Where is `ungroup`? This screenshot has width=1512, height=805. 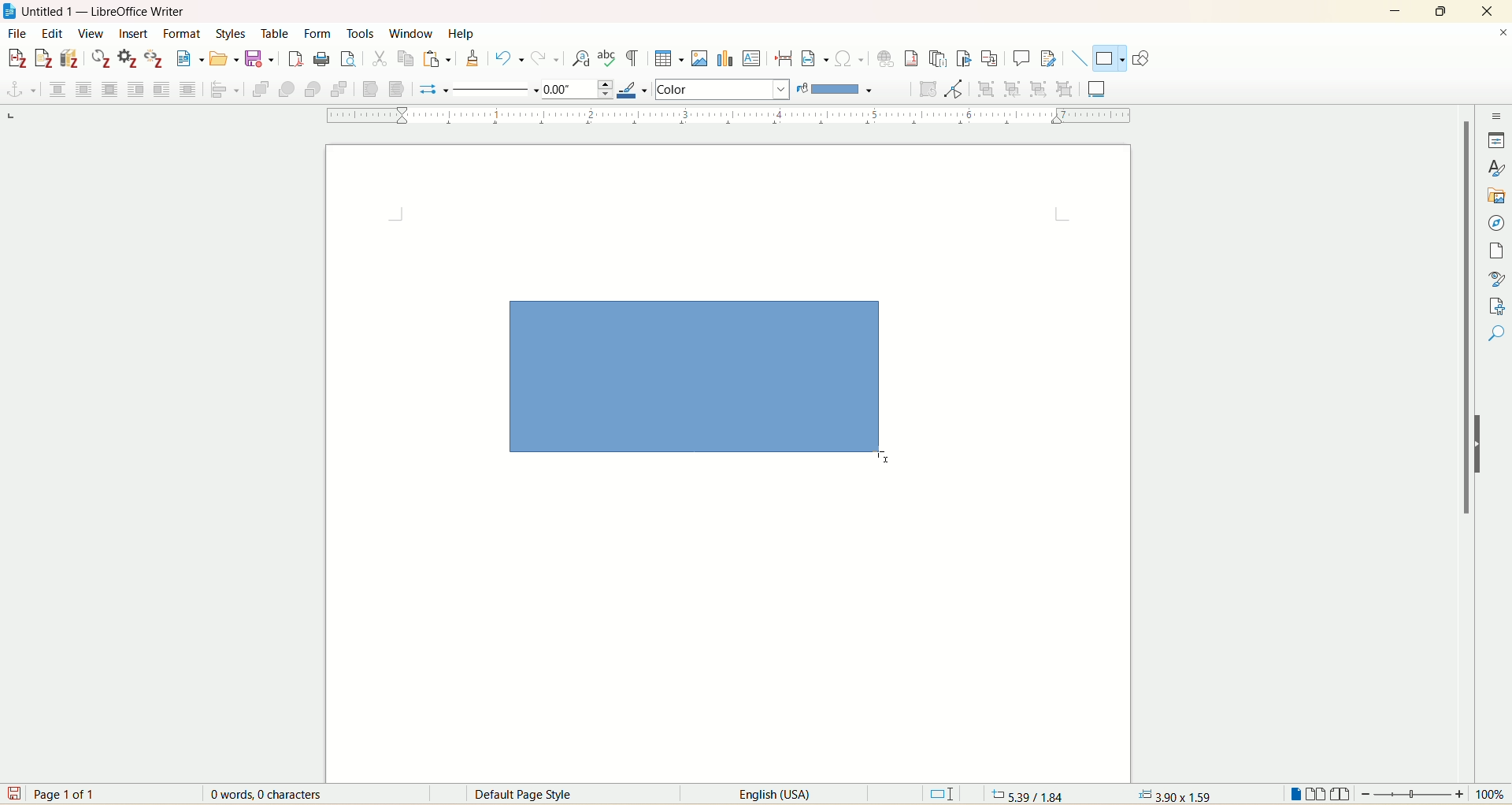
ungroup is located at coordinates (1064, 90).